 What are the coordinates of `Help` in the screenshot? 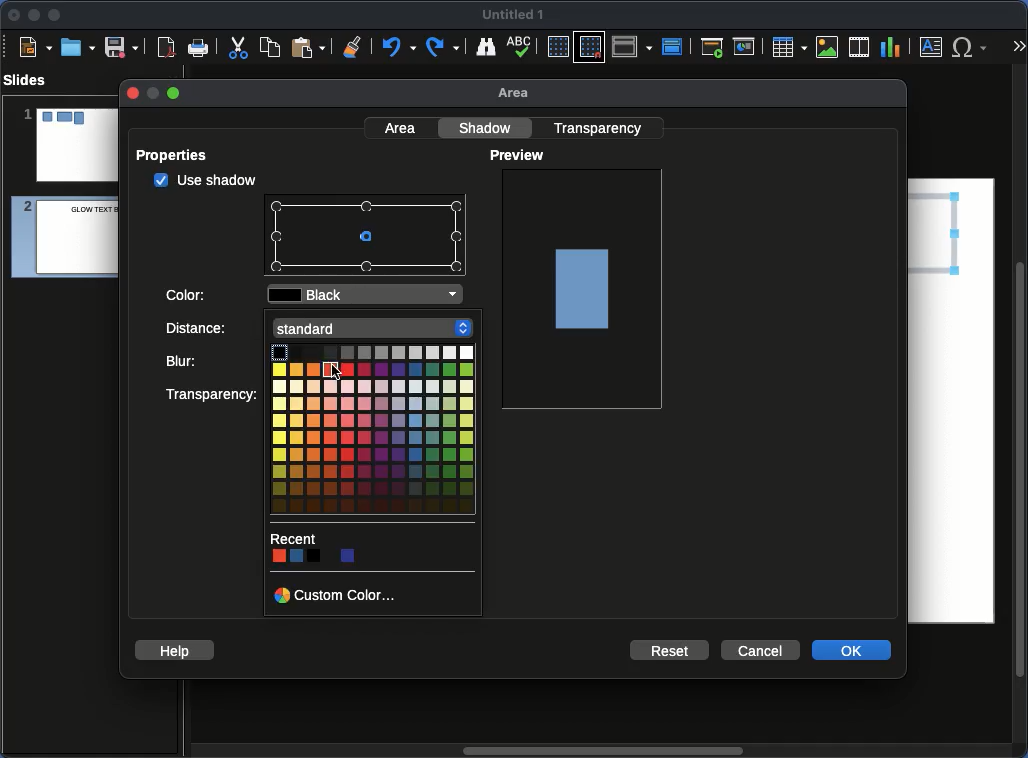 It's located at (175, 649).